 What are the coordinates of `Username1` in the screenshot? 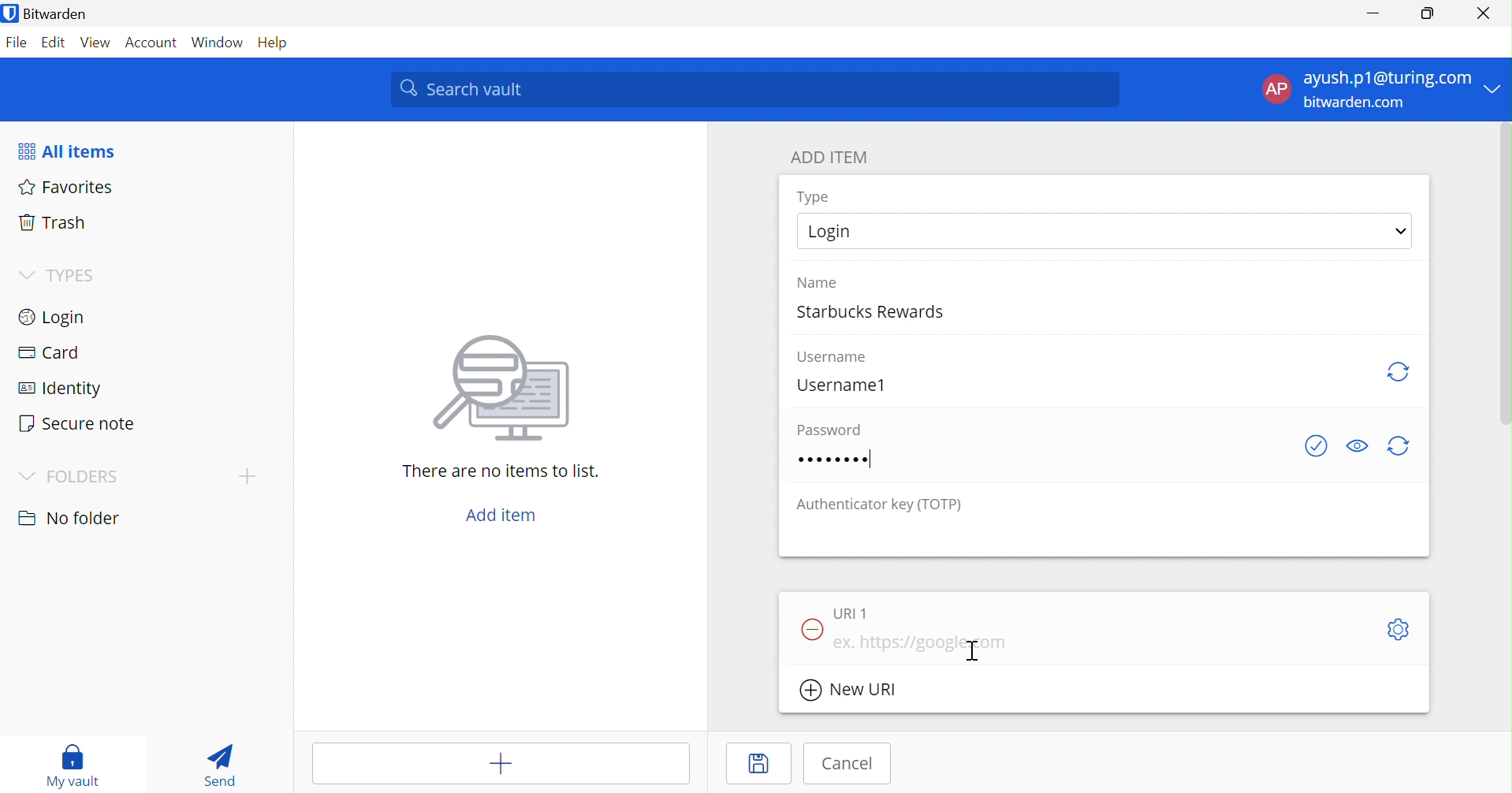 It's located at (843, 384).